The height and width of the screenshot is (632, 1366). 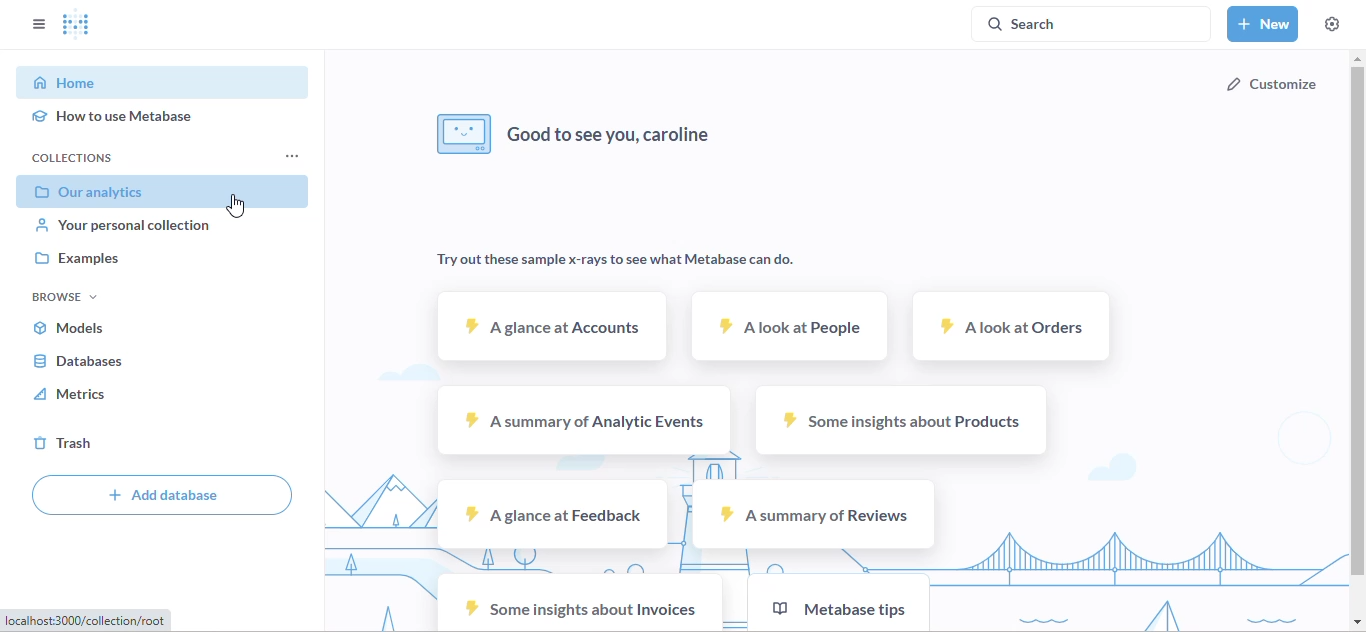 What do you see at coordinates (616, 260) in the screenshot?
I see `try out these sample x-rays to see what metabase can do.` at bounding box center [616, 260].